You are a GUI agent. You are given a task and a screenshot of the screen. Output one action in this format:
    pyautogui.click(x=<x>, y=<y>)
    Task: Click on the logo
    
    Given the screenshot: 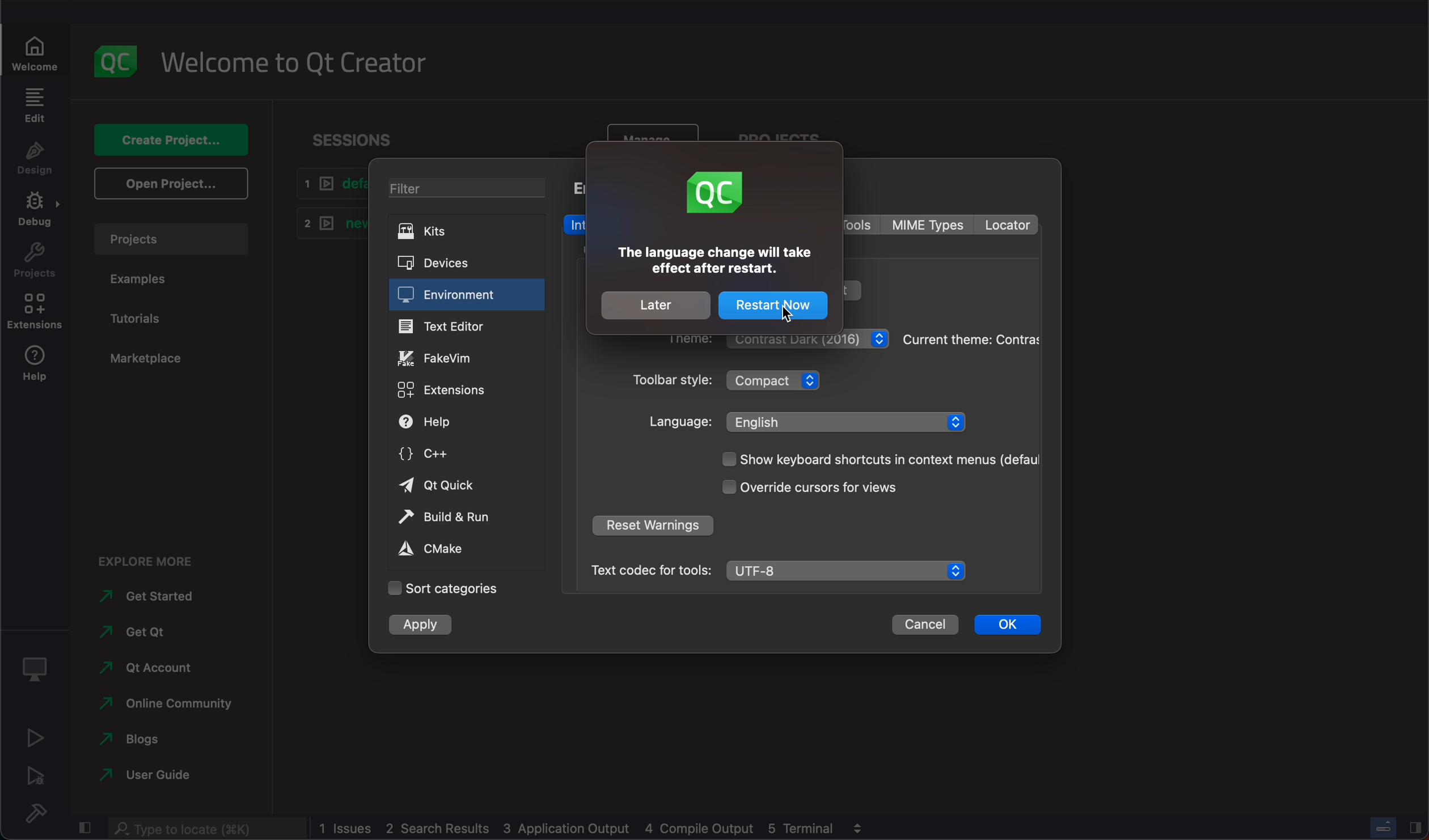 What is the action you would take?
    pyautogui.click(x=113, y=59)
    